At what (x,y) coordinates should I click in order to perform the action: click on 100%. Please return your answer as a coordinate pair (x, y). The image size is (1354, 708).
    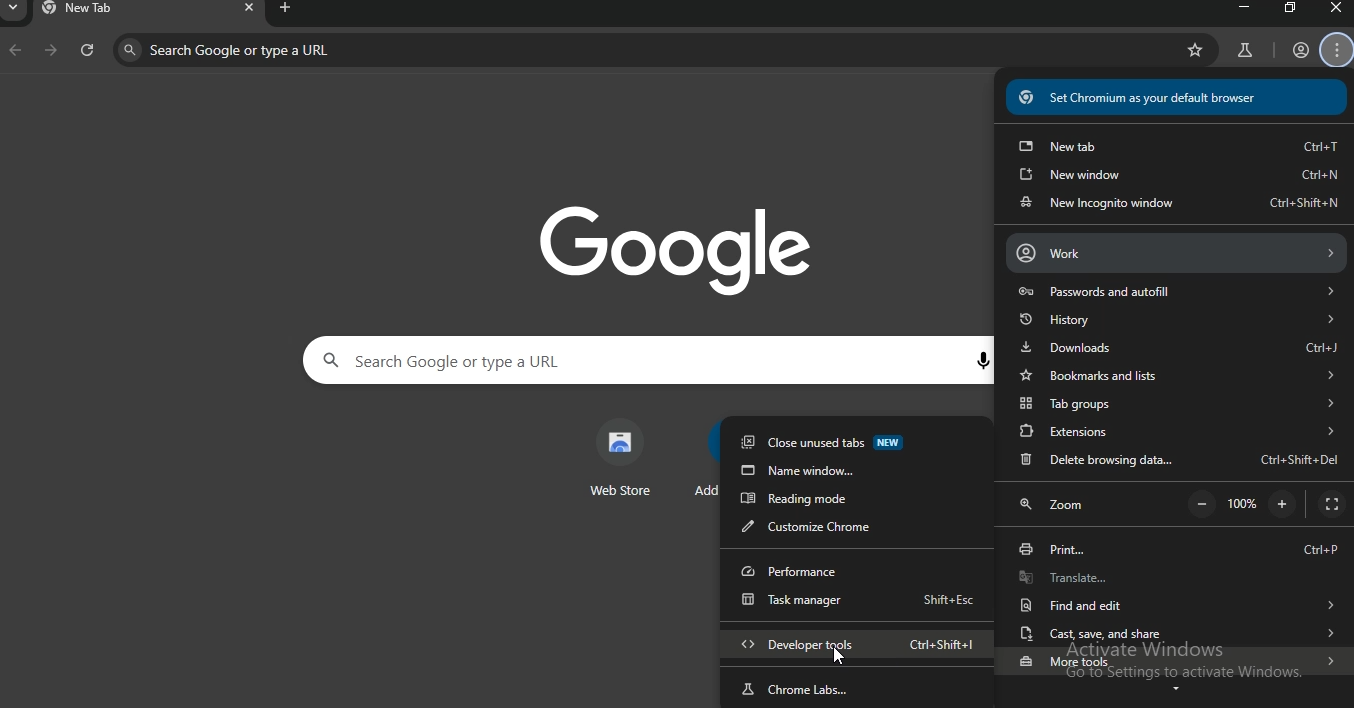
    Looking at the image, I should click on (1242, 504).